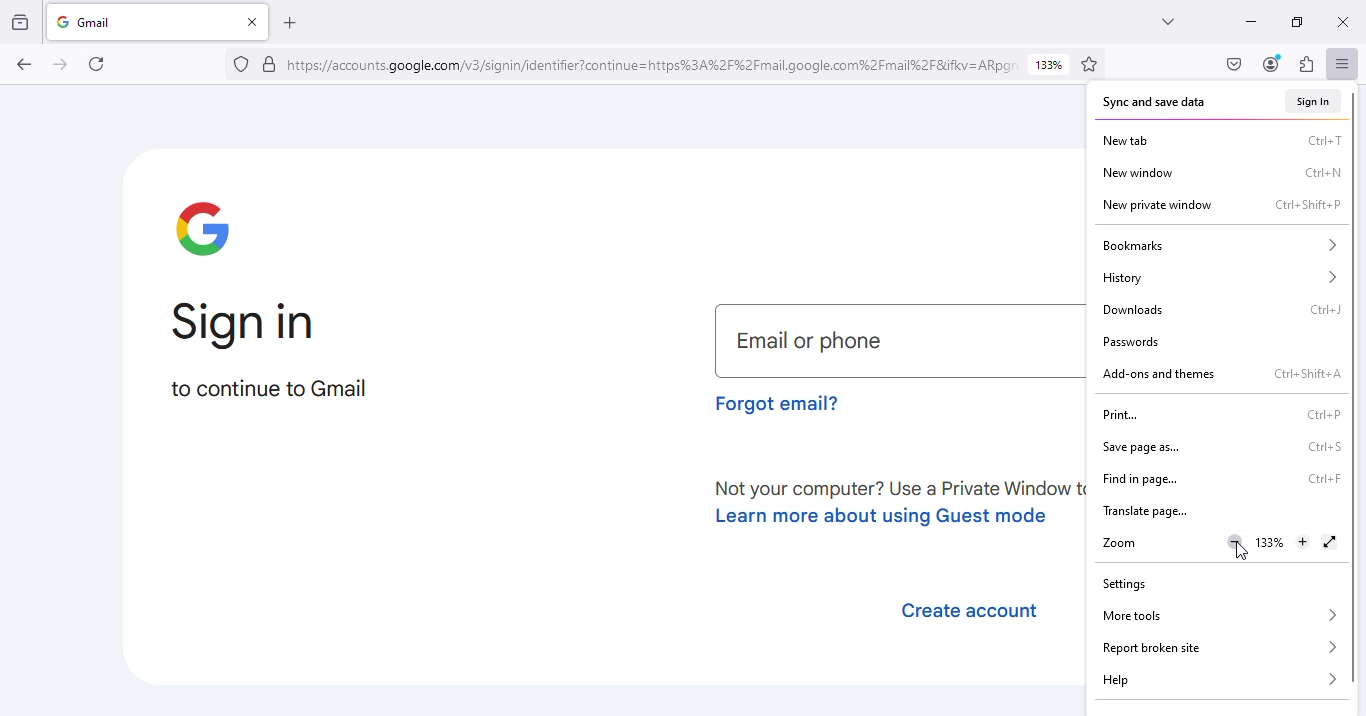 Image resolution: width=1366 pixels, height=716 pixels. Describe the element at coordinates (1298, 22) in the screenshot. I see `maximize` at that location.